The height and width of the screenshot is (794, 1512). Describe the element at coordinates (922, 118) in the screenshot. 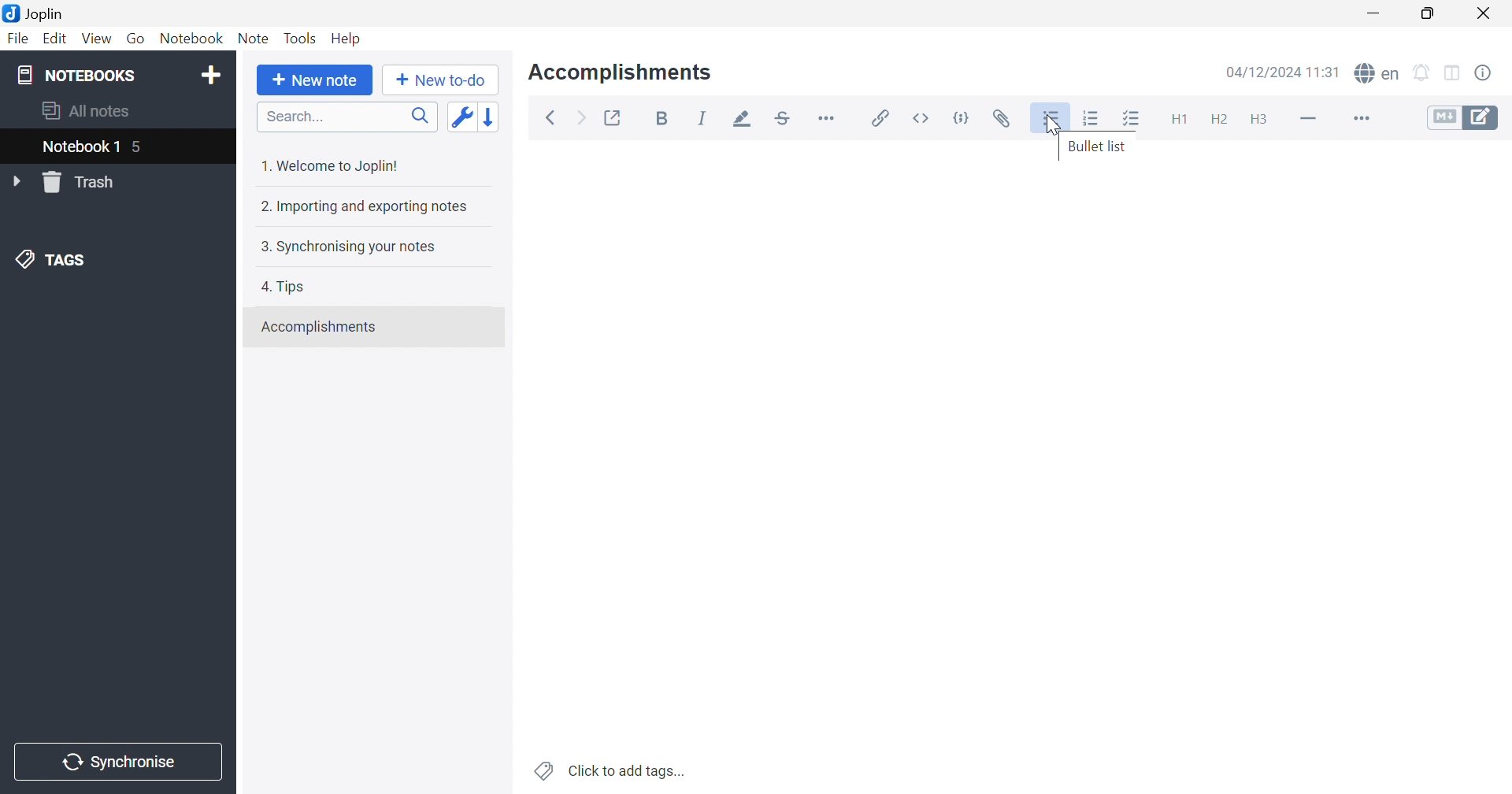

I see `inline code` at that location.